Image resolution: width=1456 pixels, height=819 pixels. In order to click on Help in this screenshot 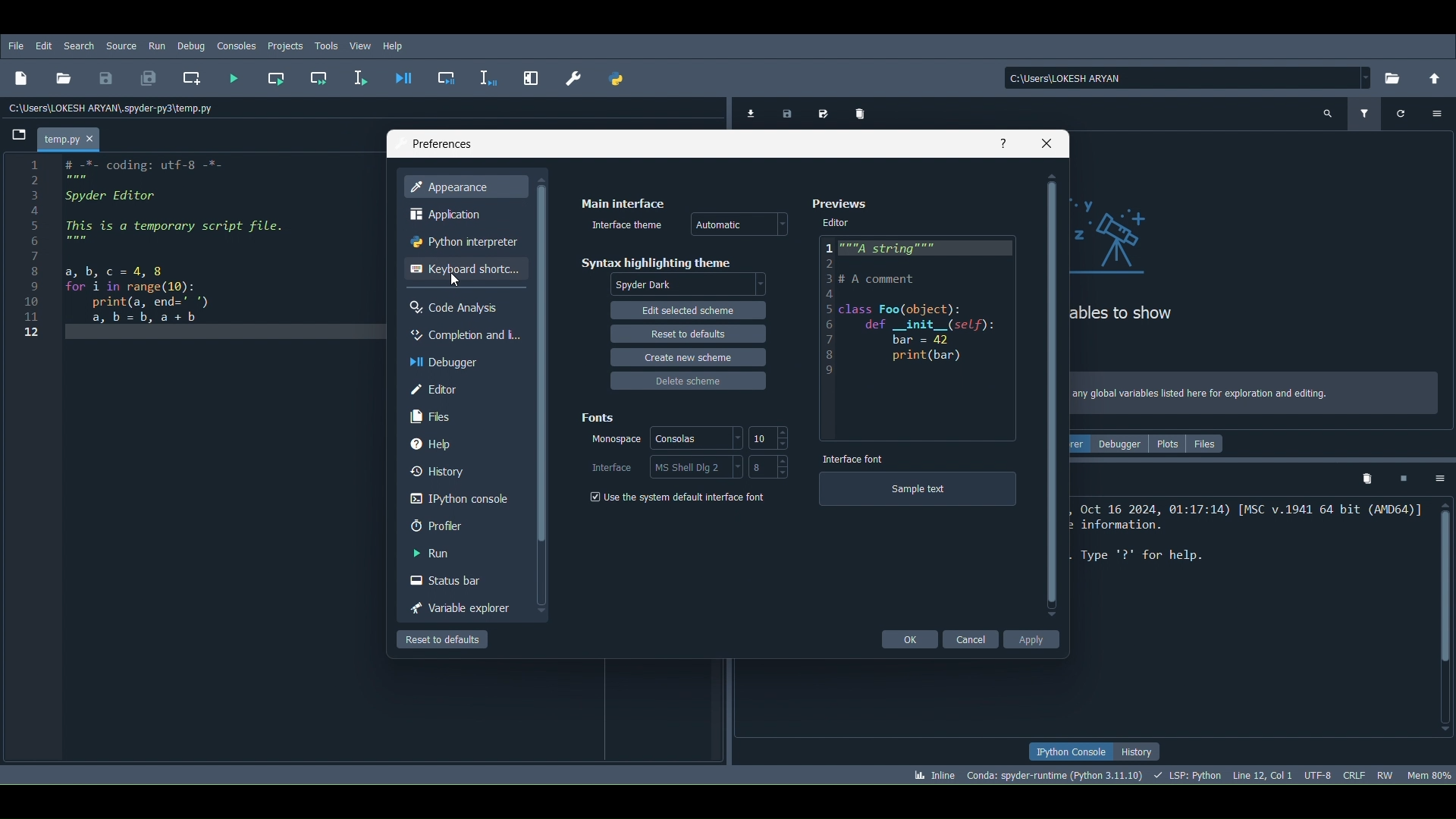, I will do `click(397, 45)`.